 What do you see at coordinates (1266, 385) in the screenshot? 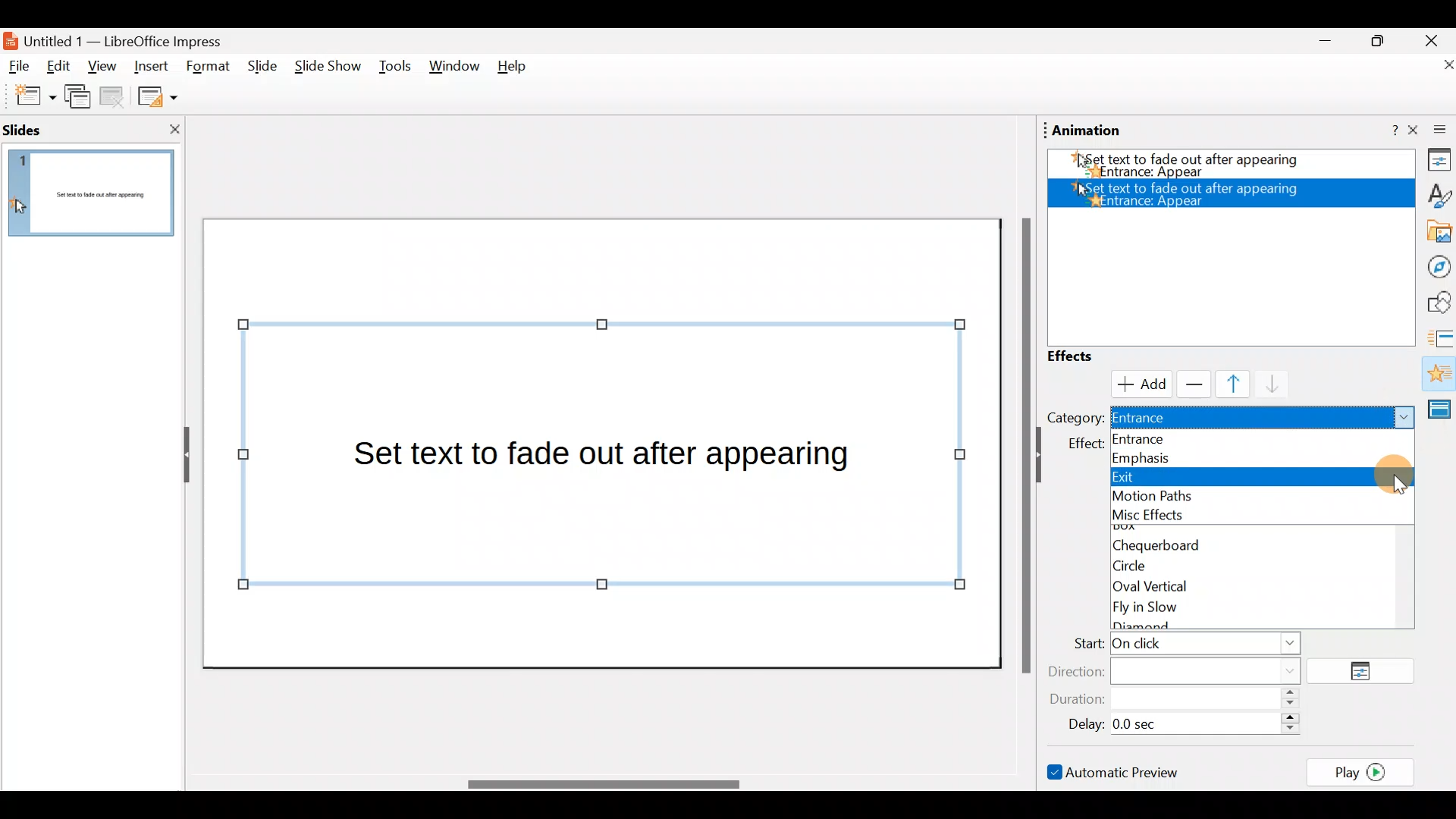
I see `Move down` at bounding box center [1266, 385].